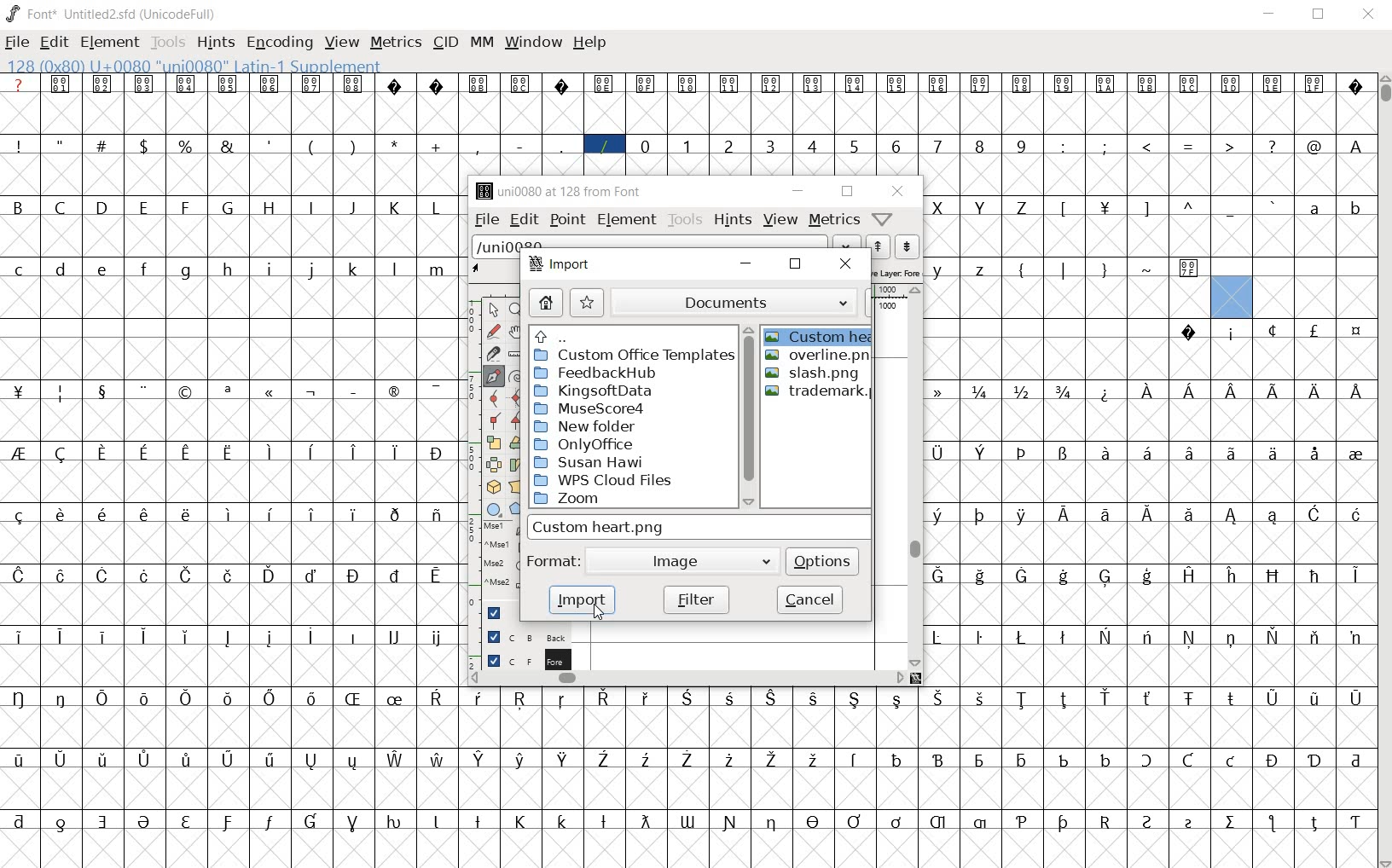 Image resolution: width=1392 pixels, height=868 pixels. I want to click on glyph, so click(604, 822).